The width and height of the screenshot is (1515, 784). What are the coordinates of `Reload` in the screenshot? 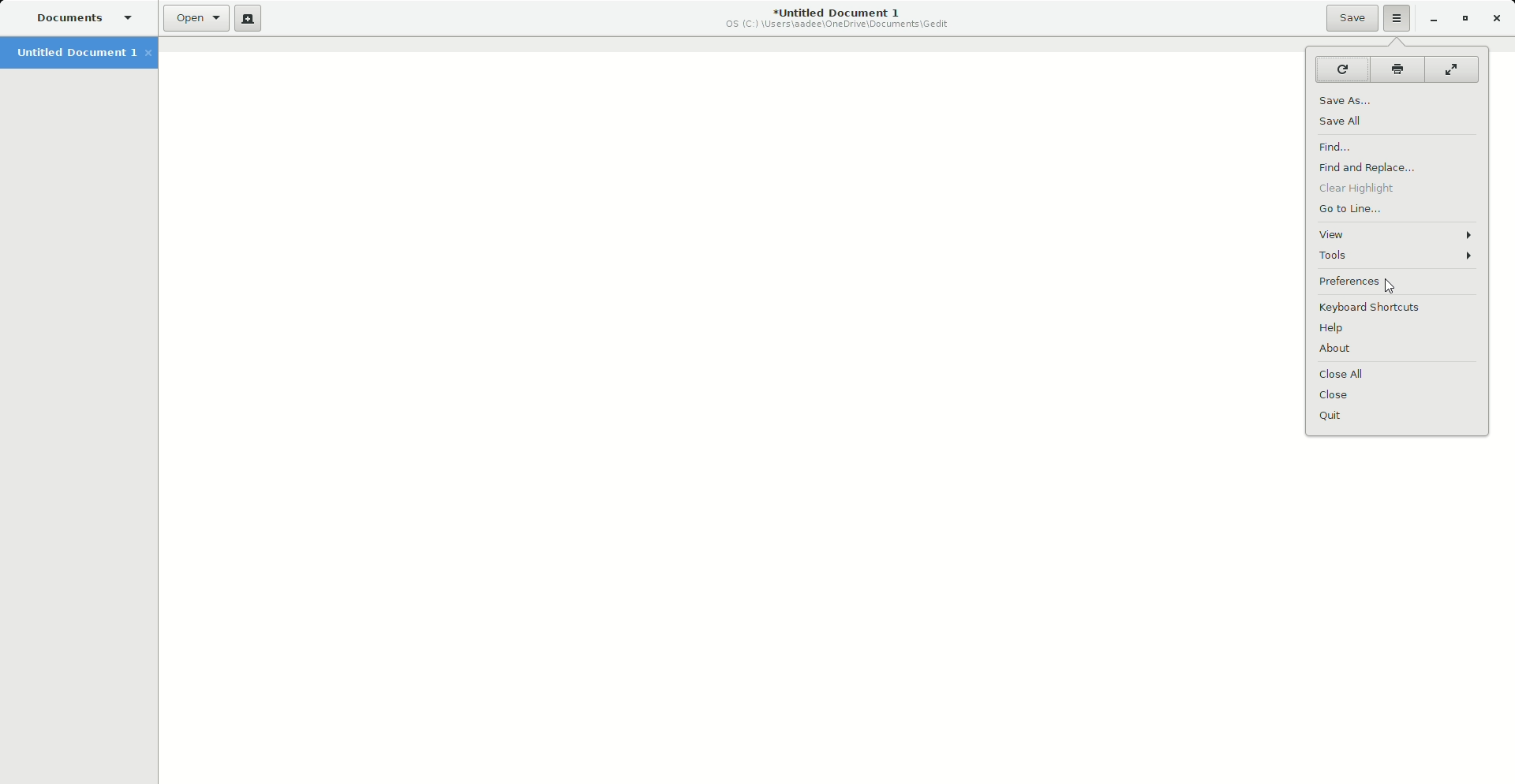 It's located at (1341, 69).